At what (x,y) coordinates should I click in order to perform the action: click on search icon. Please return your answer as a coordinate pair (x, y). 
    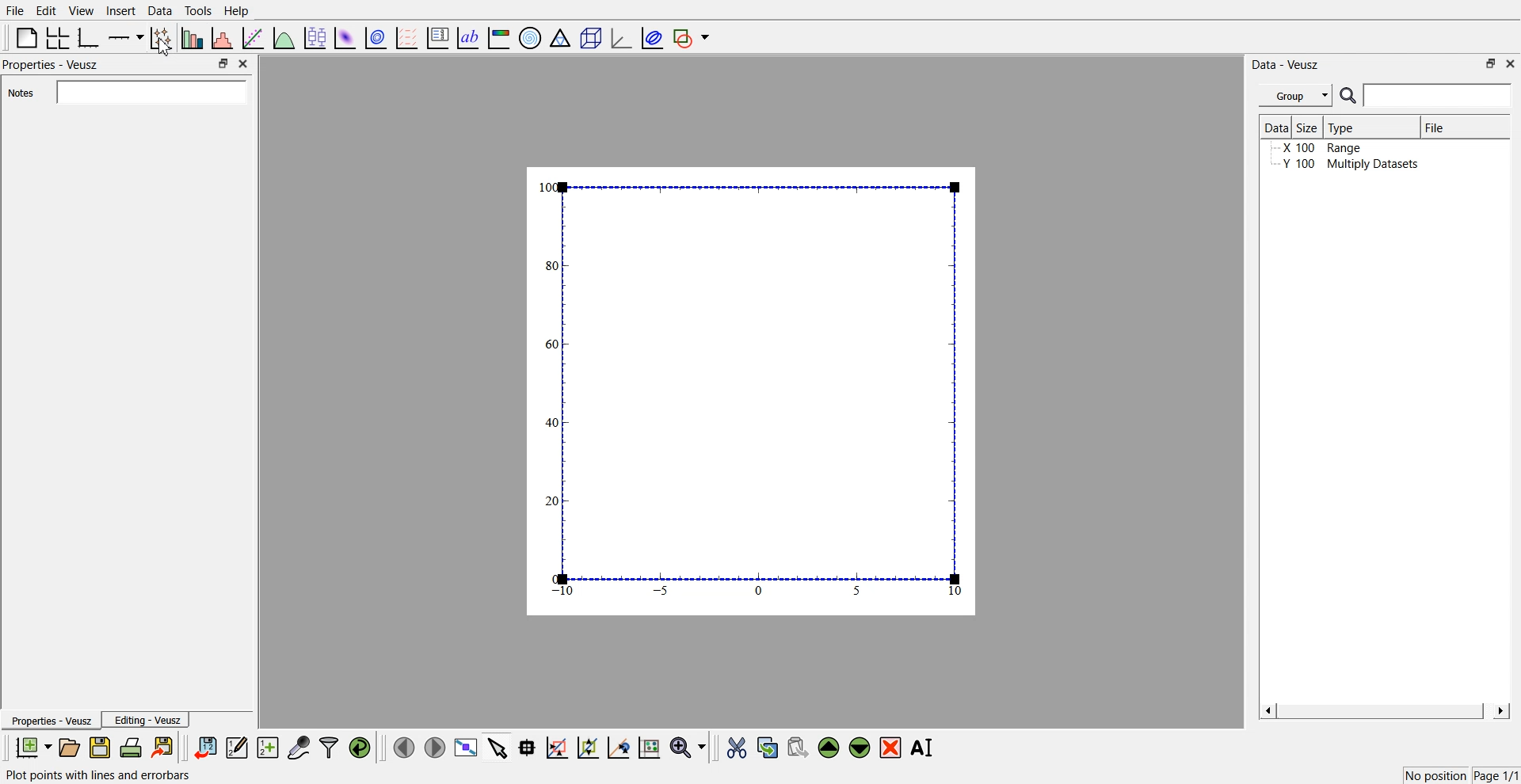
    Looking at the image, I should click on (1350, 95).